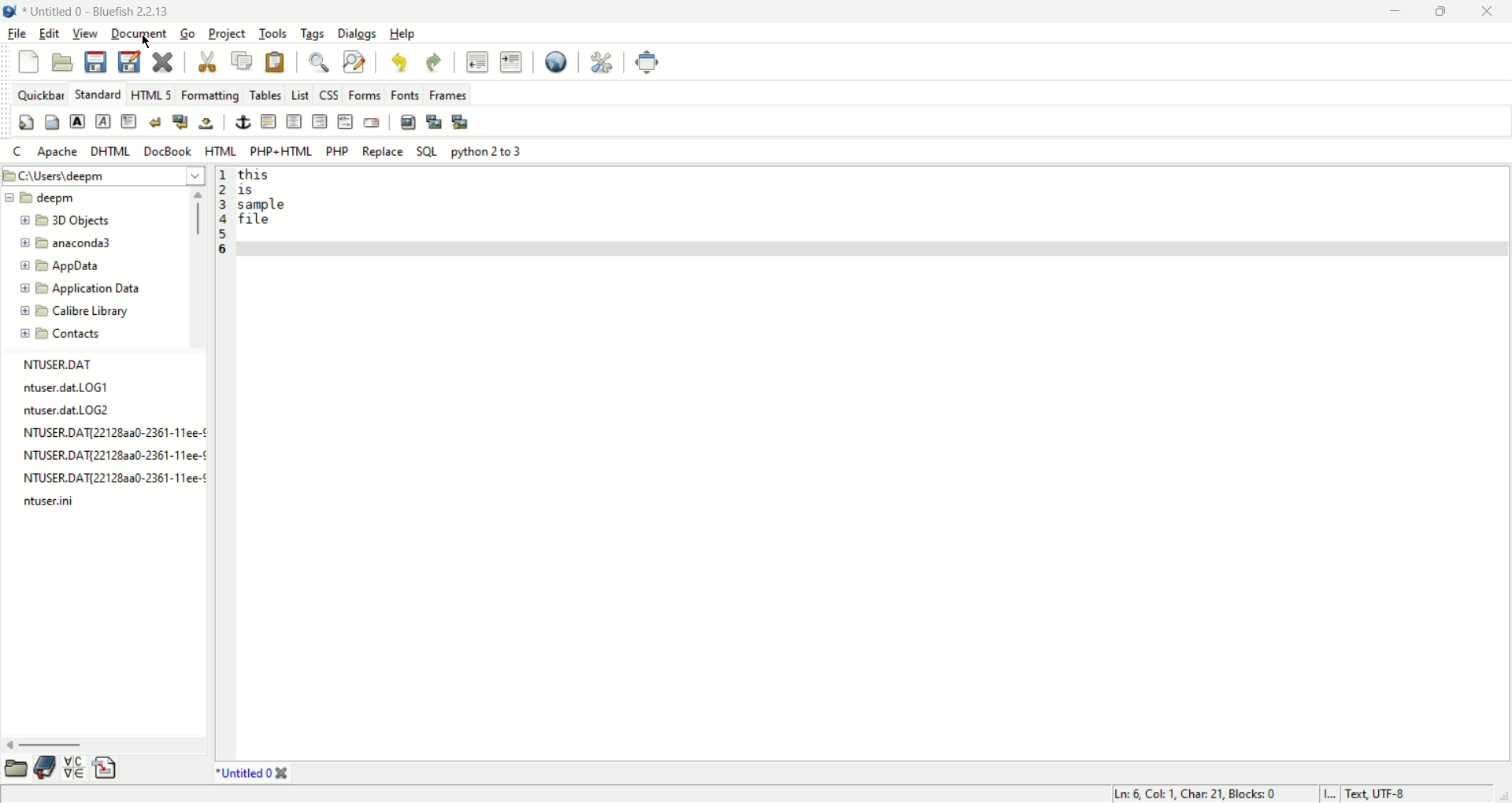 The height and width of the screenshot is (803, 1512). What do you see at coordinates (598, 61) in the screenshot?
I see `edit preferences` at bounding box center [598, 61].